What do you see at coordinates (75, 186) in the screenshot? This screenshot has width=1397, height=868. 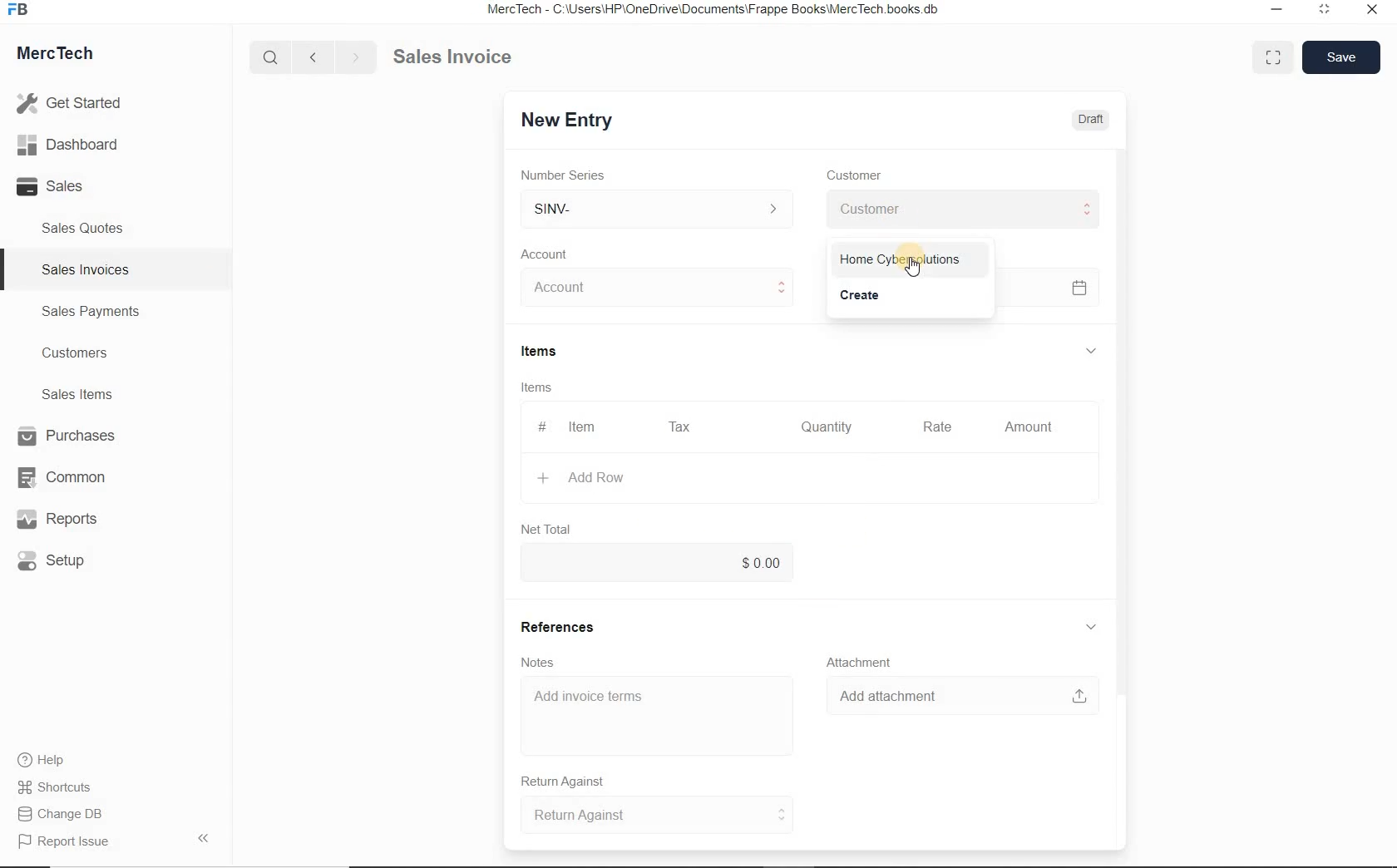 I see `Sales` at bounding box center [75, 186].